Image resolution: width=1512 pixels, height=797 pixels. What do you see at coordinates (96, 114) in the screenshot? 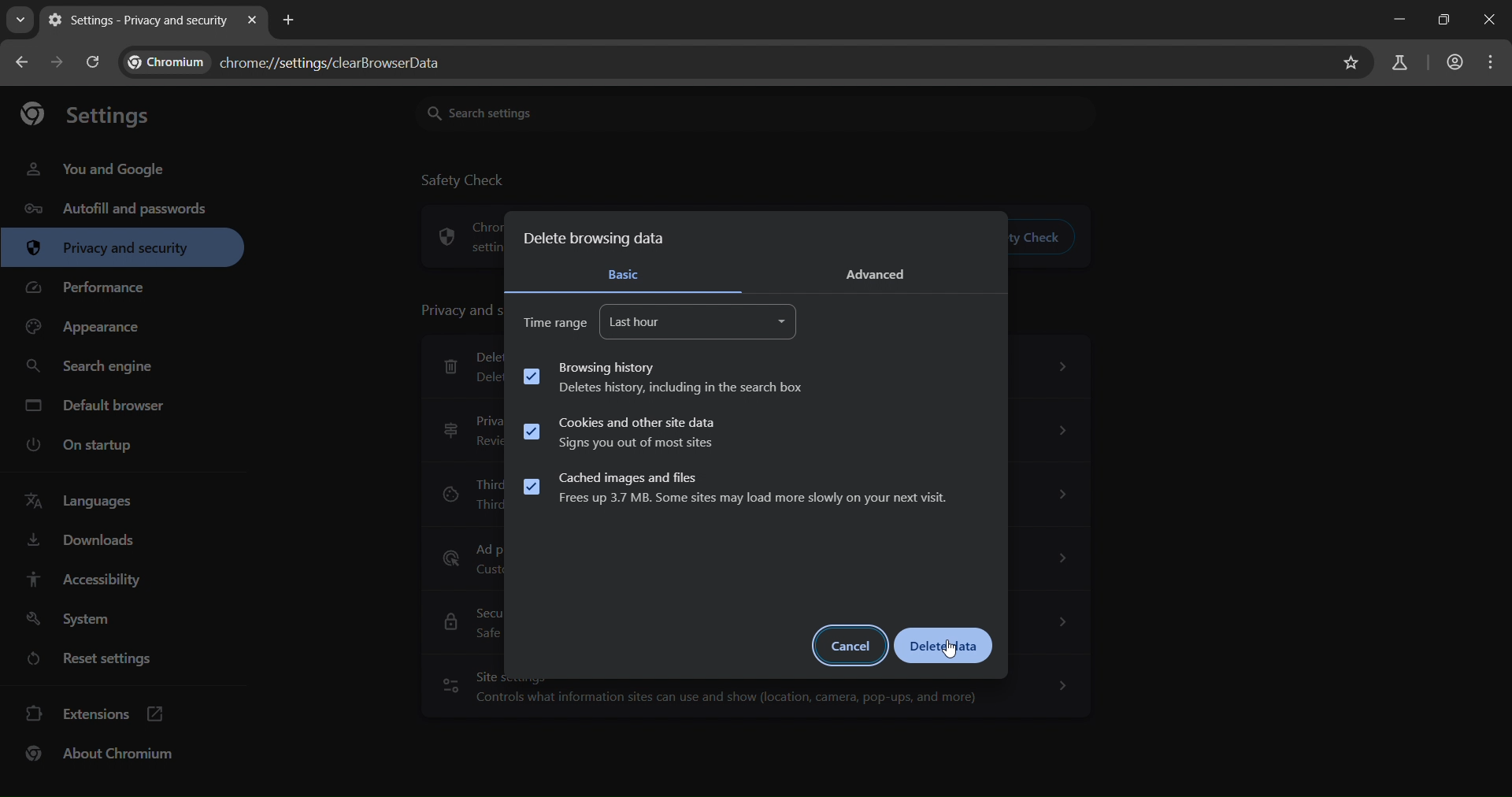
I see `settings` at bounding box center [96, 114].